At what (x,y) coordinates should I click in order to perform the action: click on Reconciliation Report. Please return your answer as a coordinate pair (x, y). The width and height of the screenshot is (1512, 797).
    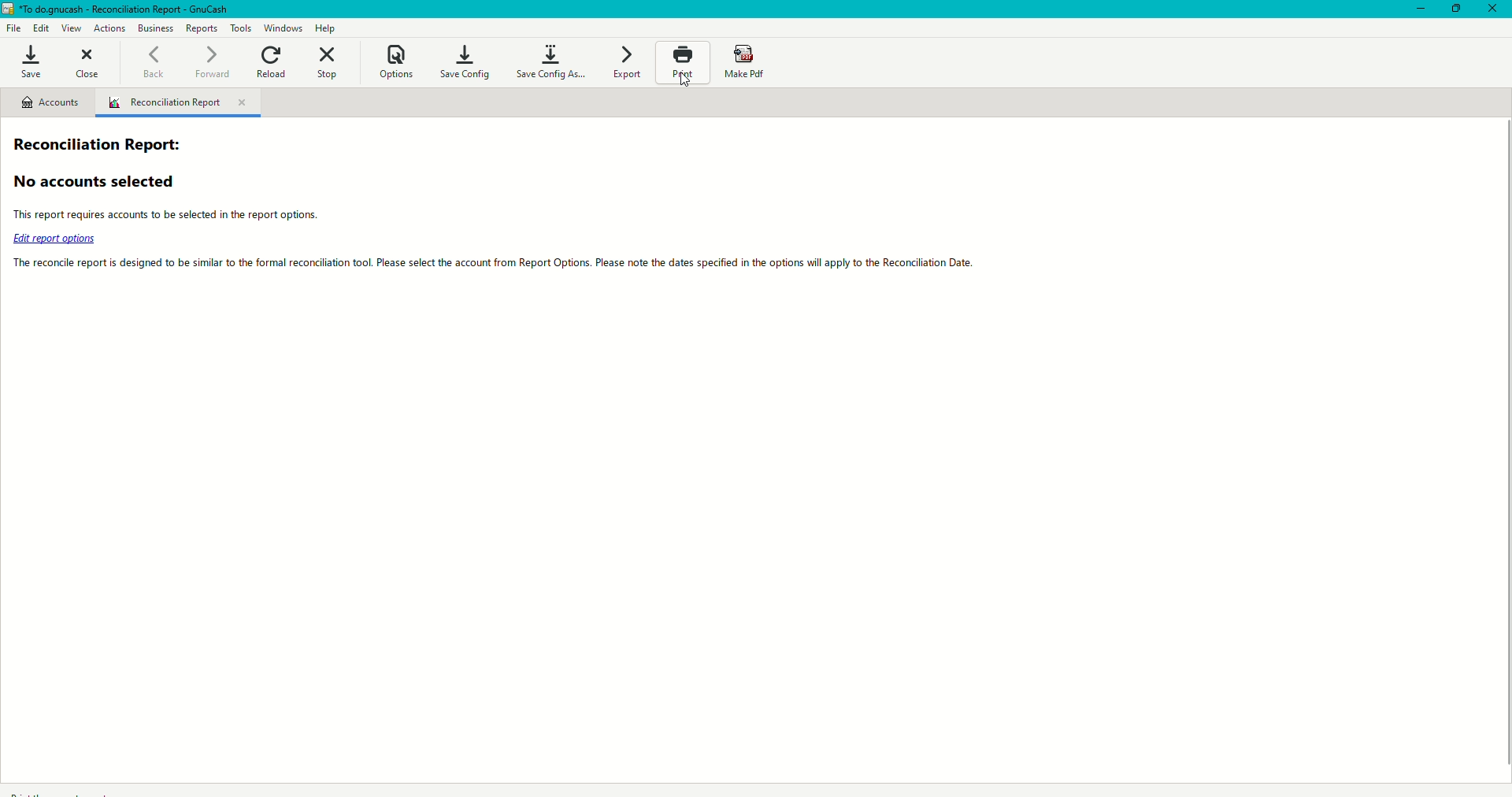
    Looking at the image, I should click on (183, 103).